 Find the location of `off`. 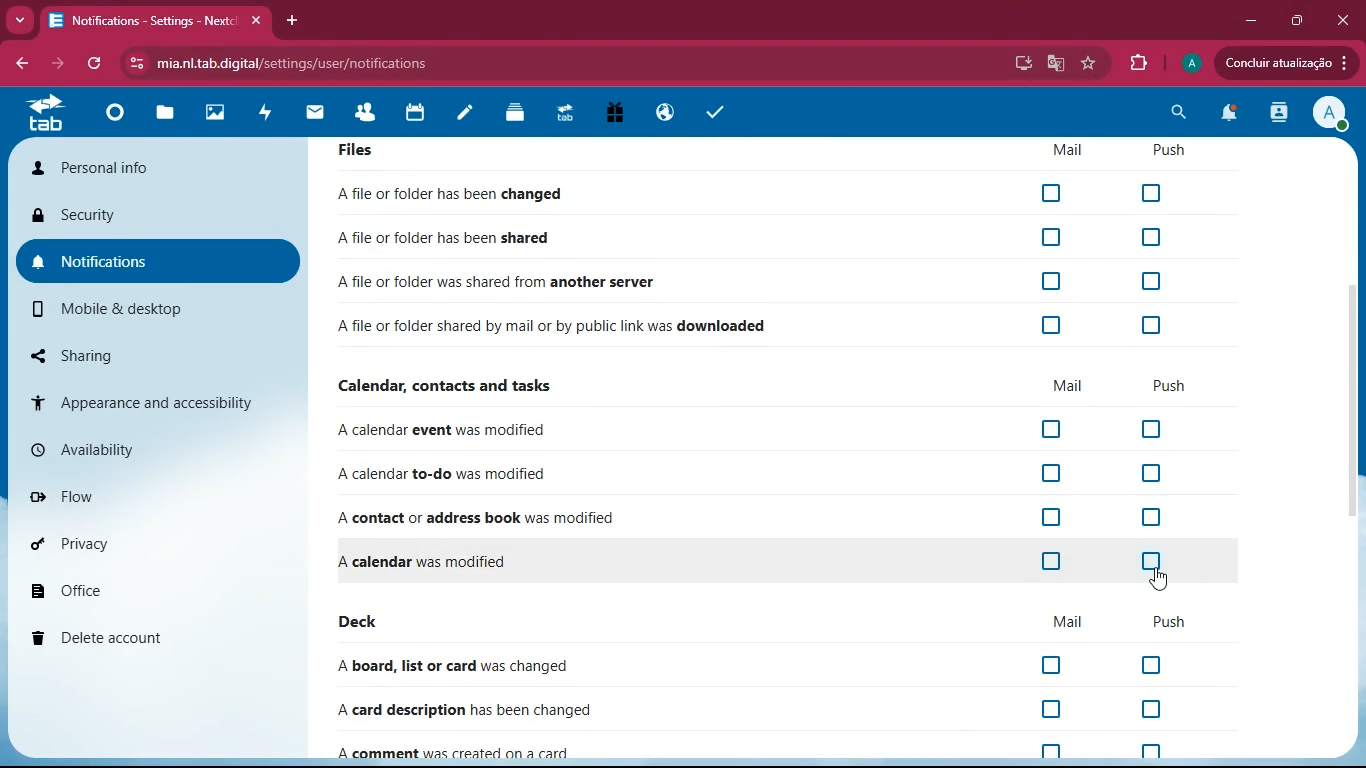

off is located at coordinates (1147, 431).